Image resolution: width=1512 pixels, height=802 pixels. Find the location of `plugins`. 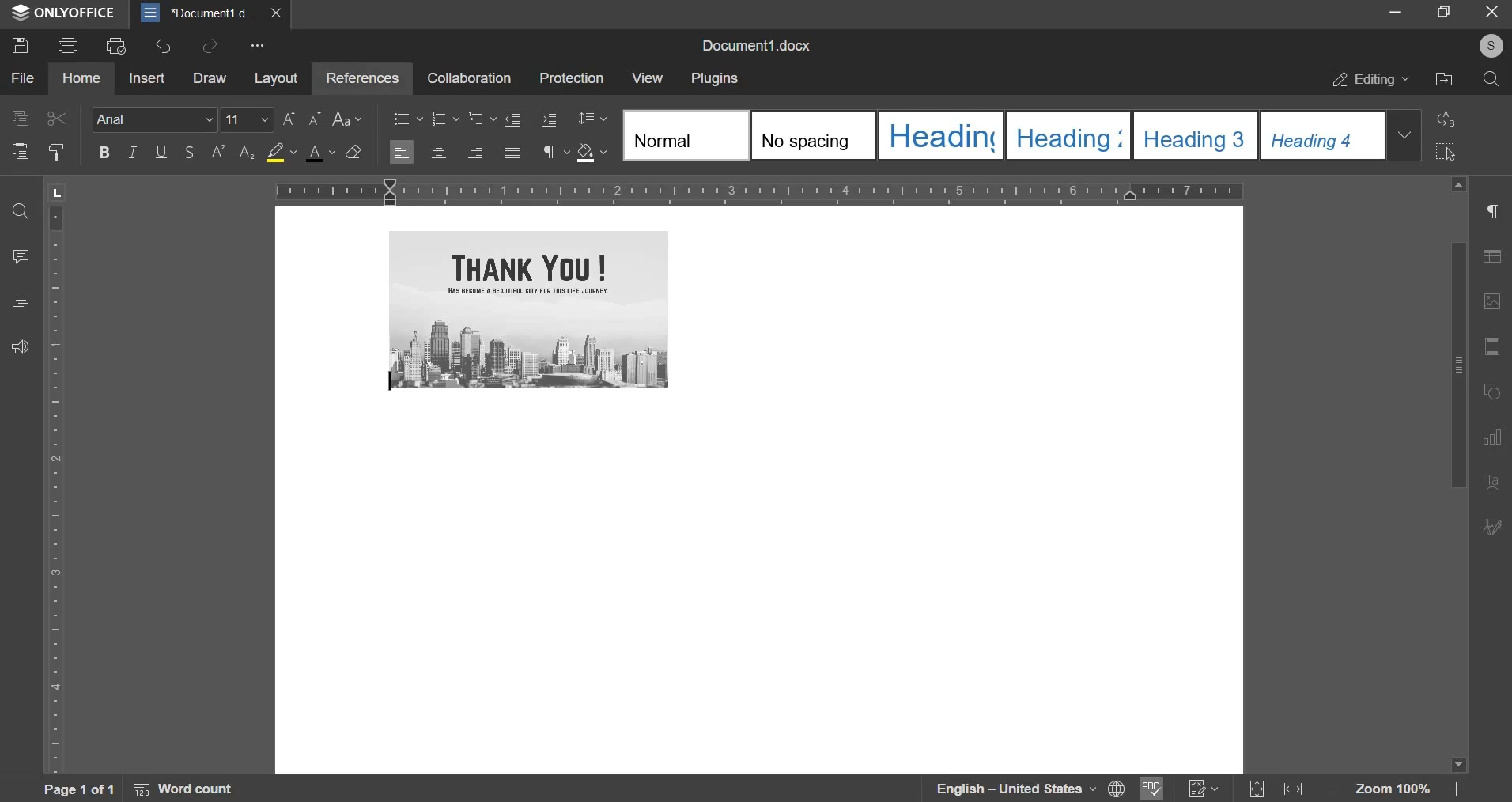

plugins is located at coordinates (716, 79).